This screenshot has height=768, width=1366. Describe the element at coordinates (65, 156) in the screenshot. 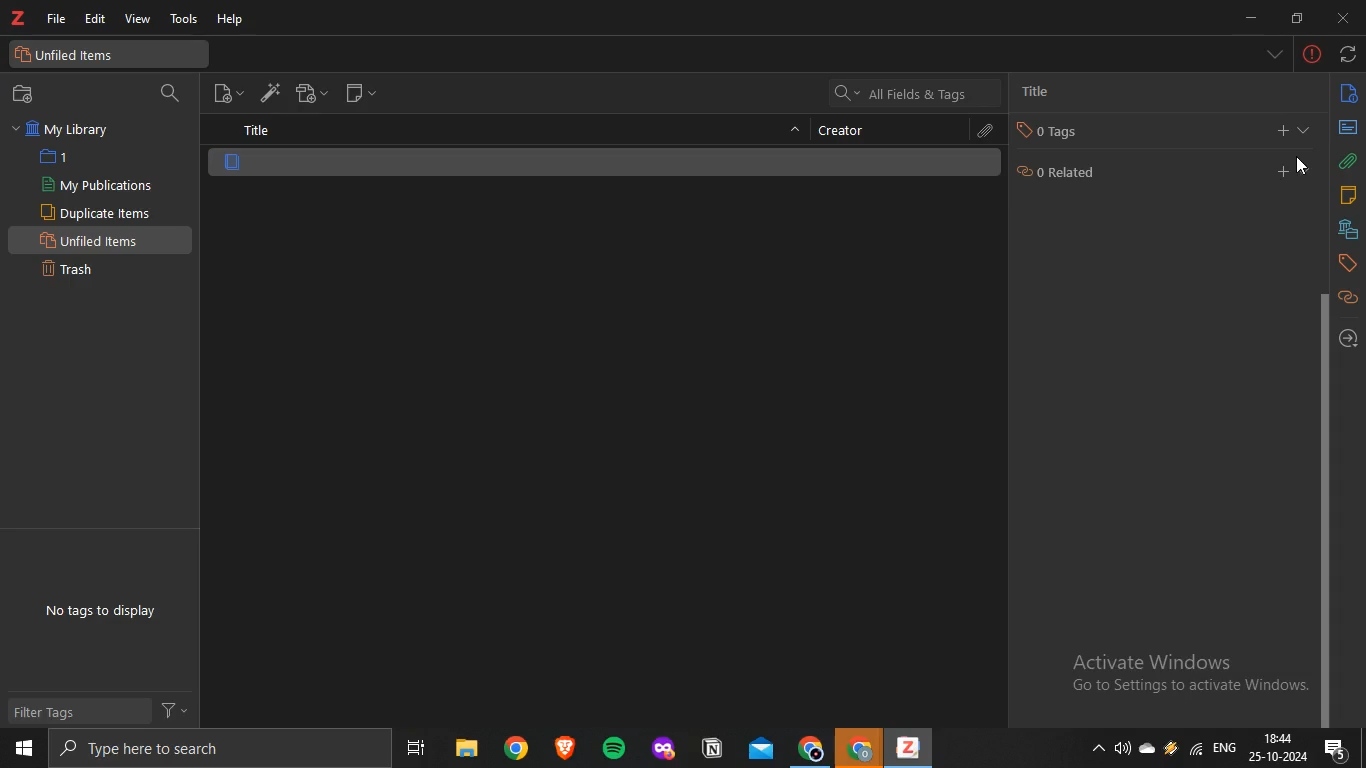

I see `1` at that location.